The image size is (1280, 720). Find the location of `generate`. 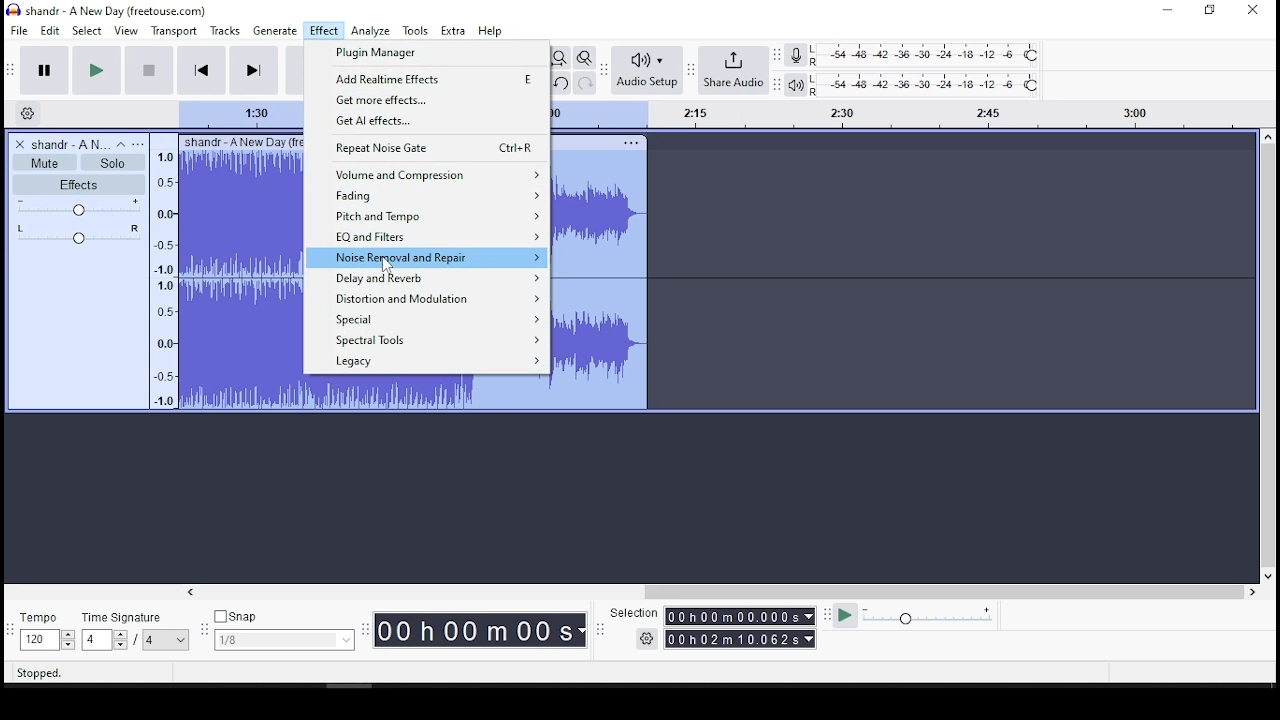

generate is located at coordinates (275, 31).